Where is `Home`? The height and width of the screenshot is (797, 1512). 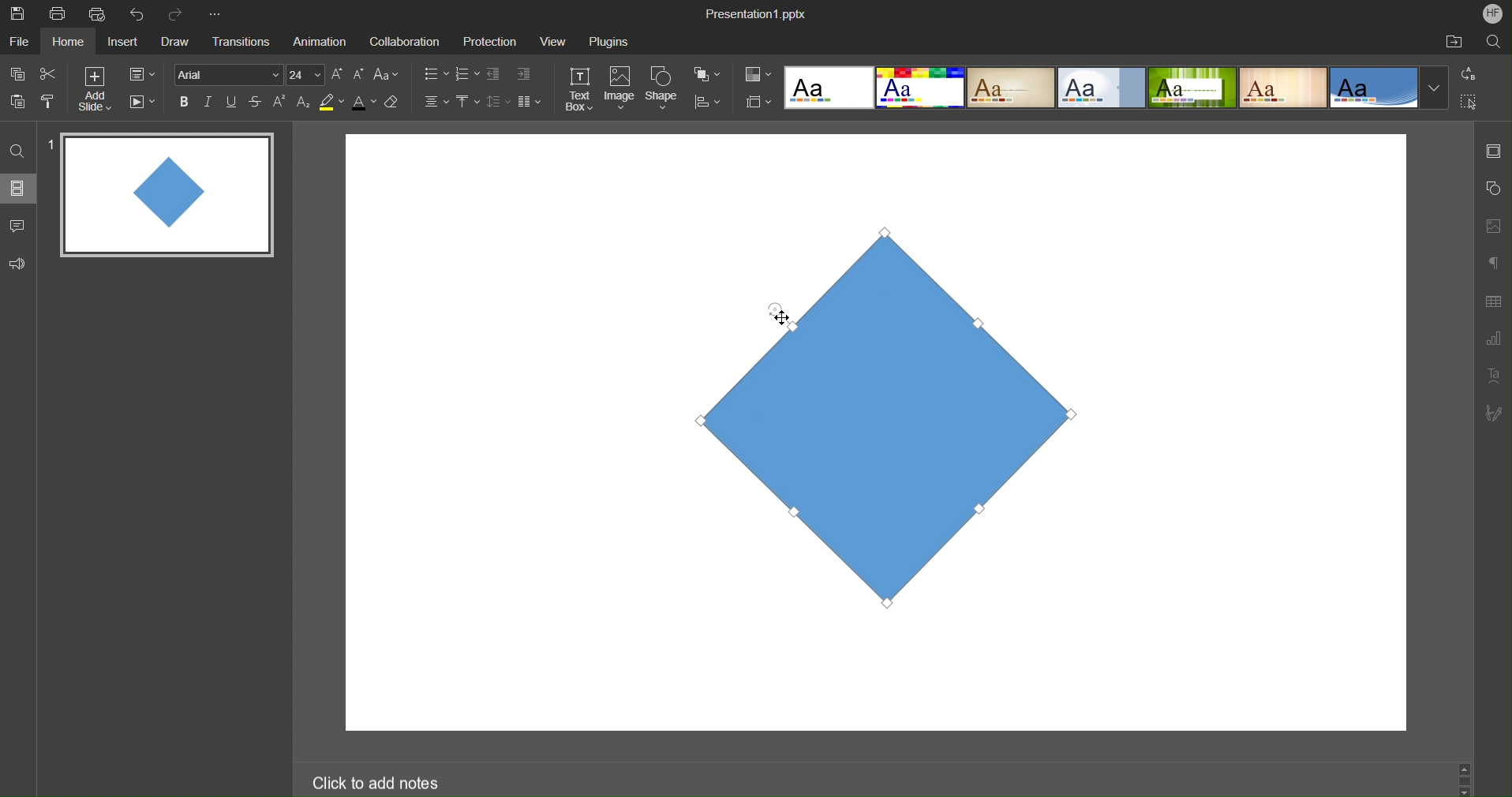
Home is located at coordinates (69, 41).